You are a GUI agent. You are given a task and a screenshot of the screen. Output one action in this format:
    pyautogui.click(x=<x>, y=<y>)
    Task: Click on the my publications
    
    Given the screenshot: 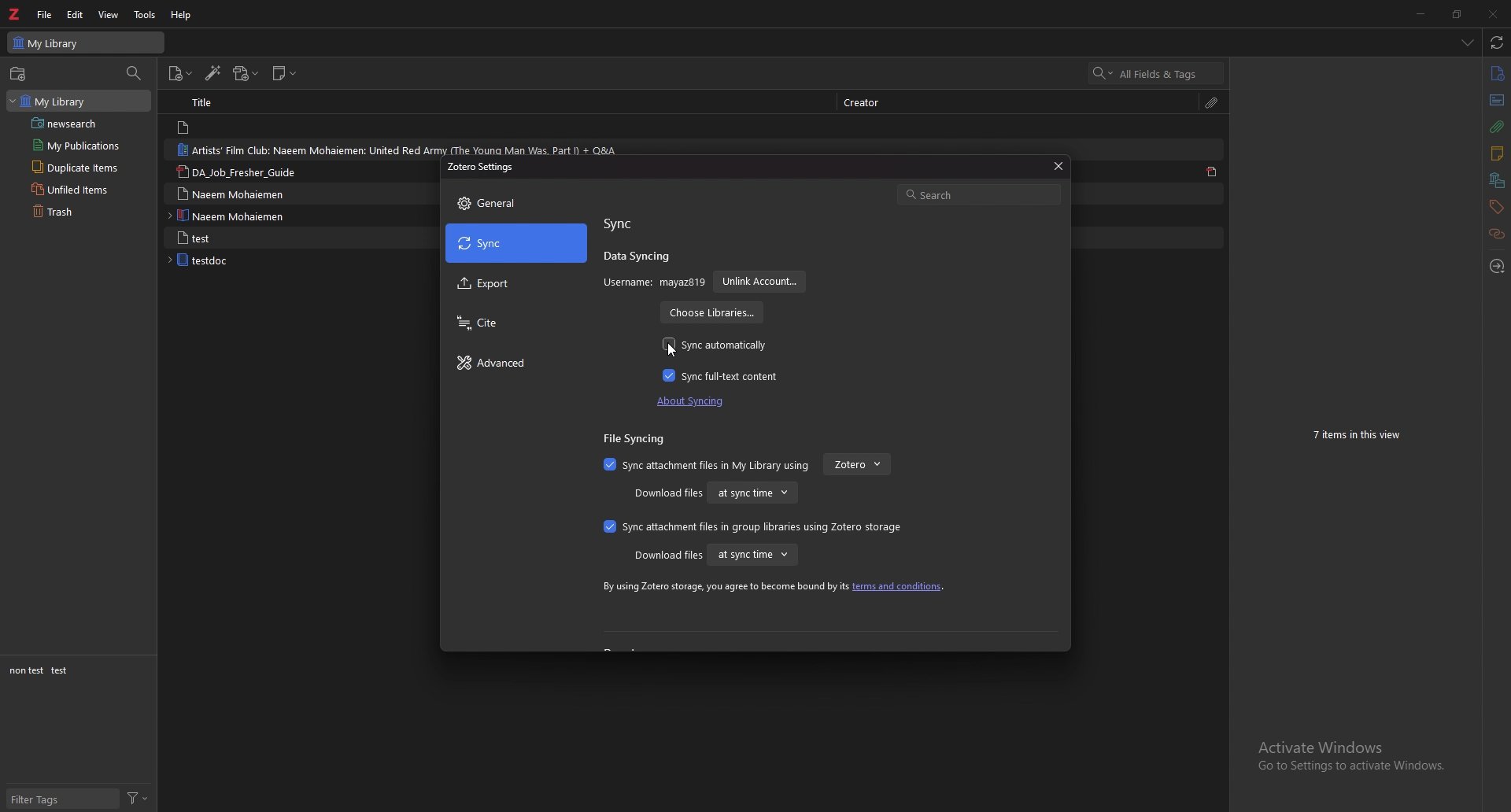 What is the action you would take?
    pyautogui.click(x=79, y=146)
    